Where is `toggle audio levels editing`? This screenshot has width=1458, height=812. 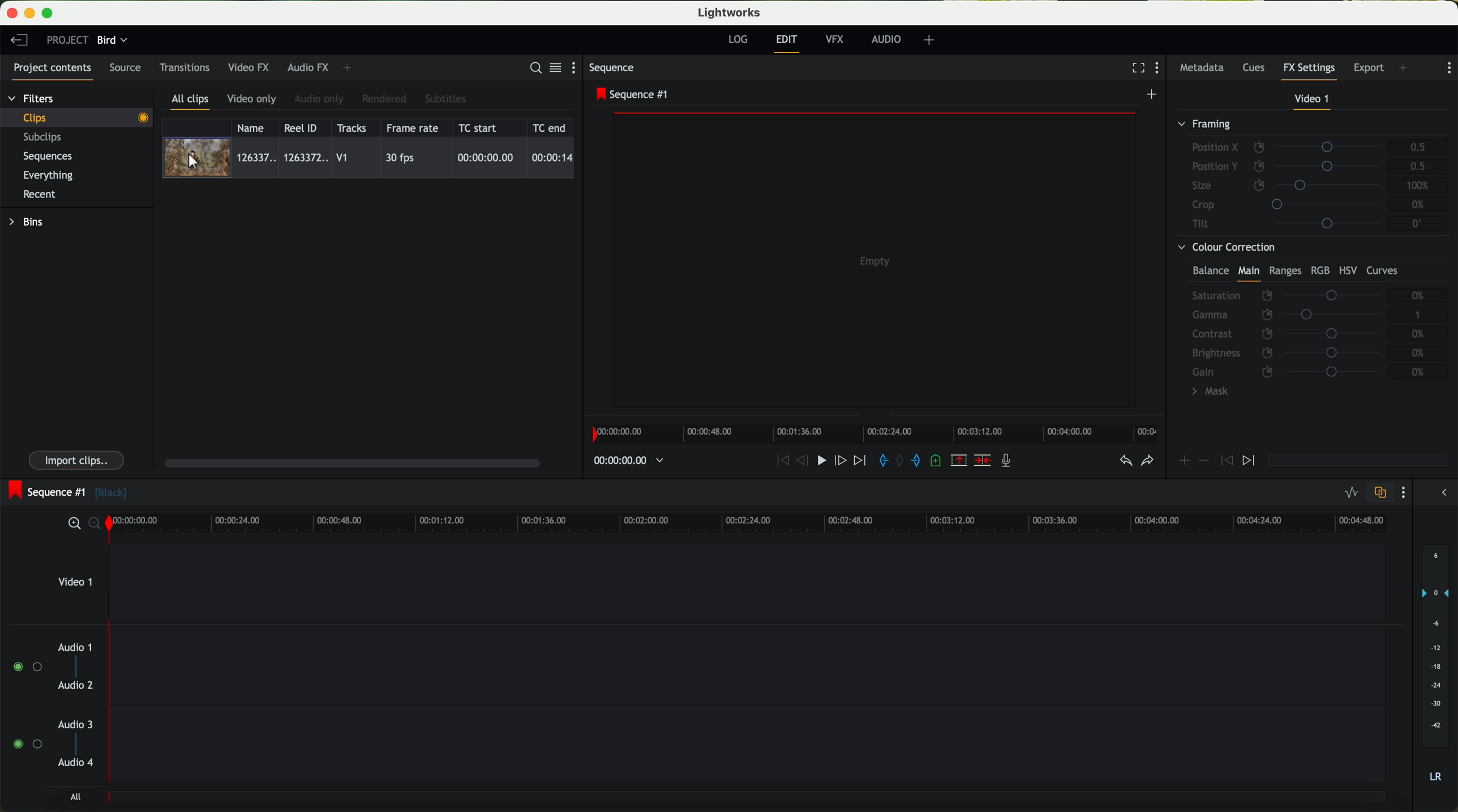
toggle audio levels editing is located at coordinates (1351, 494).